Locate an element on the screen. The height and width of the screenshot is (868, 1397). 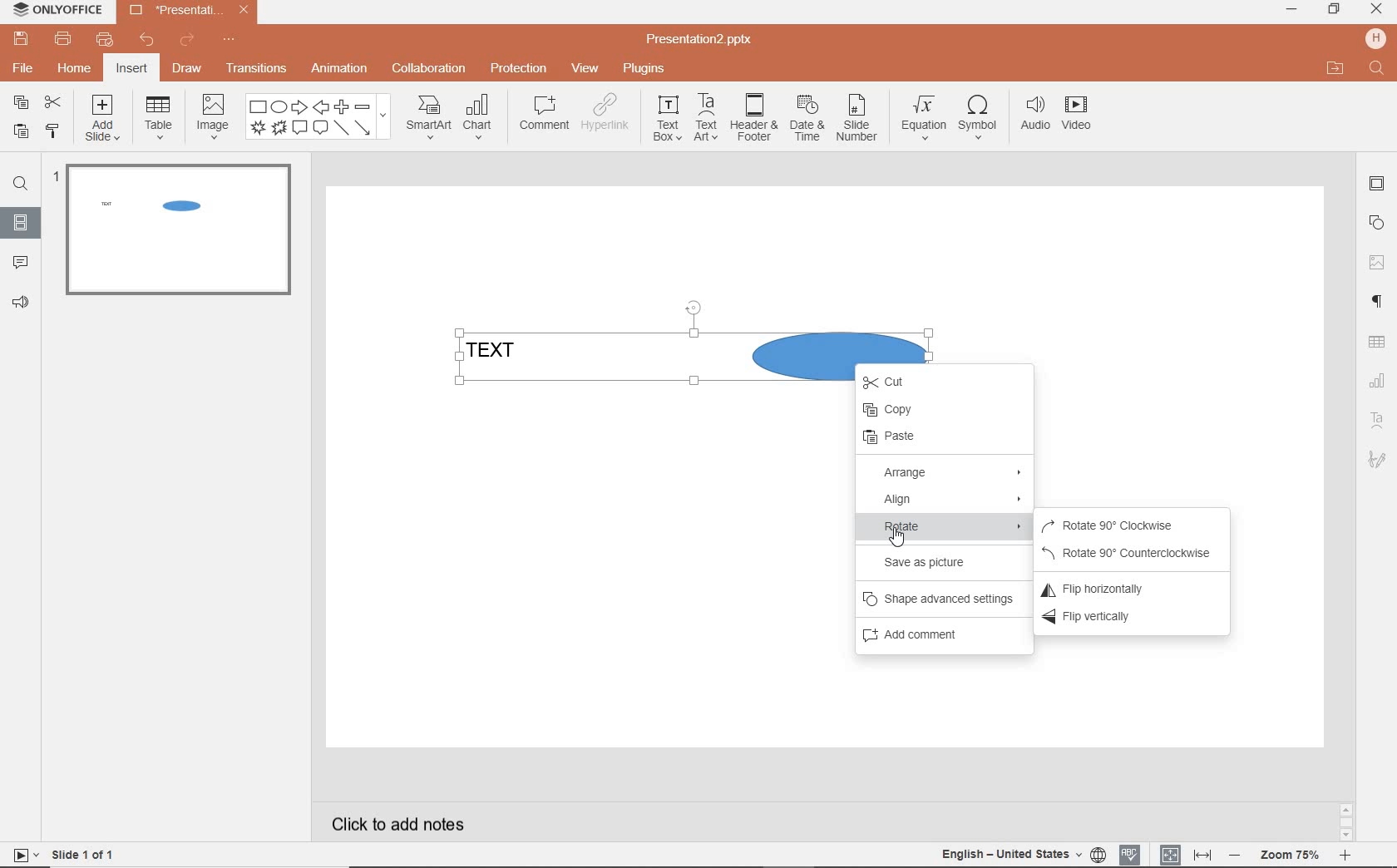
shape advanced settings is located at coordinates (939, 601).